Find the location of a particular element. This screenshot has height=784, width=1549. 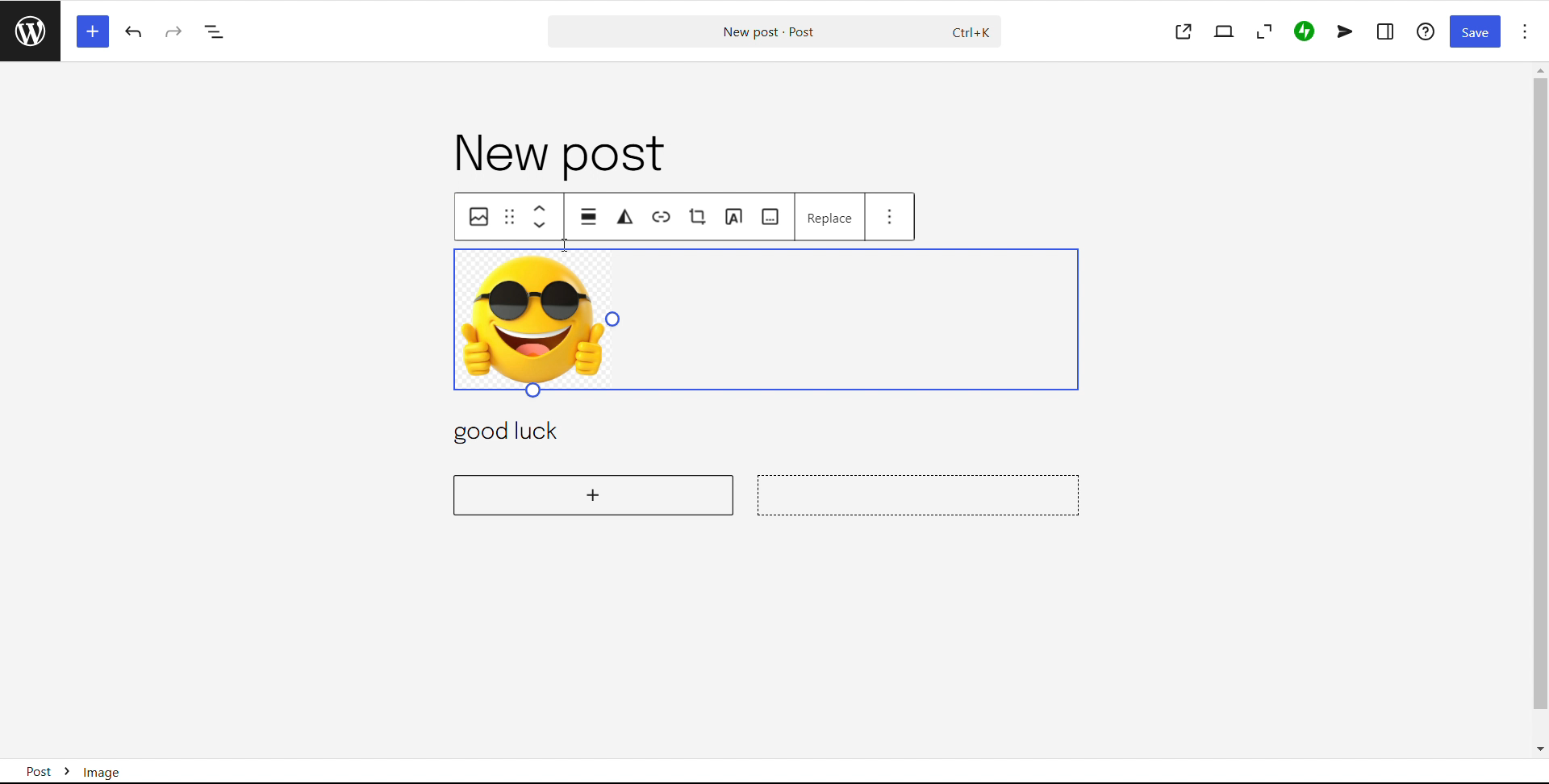

add text over image is located at coordinates (733, 217).